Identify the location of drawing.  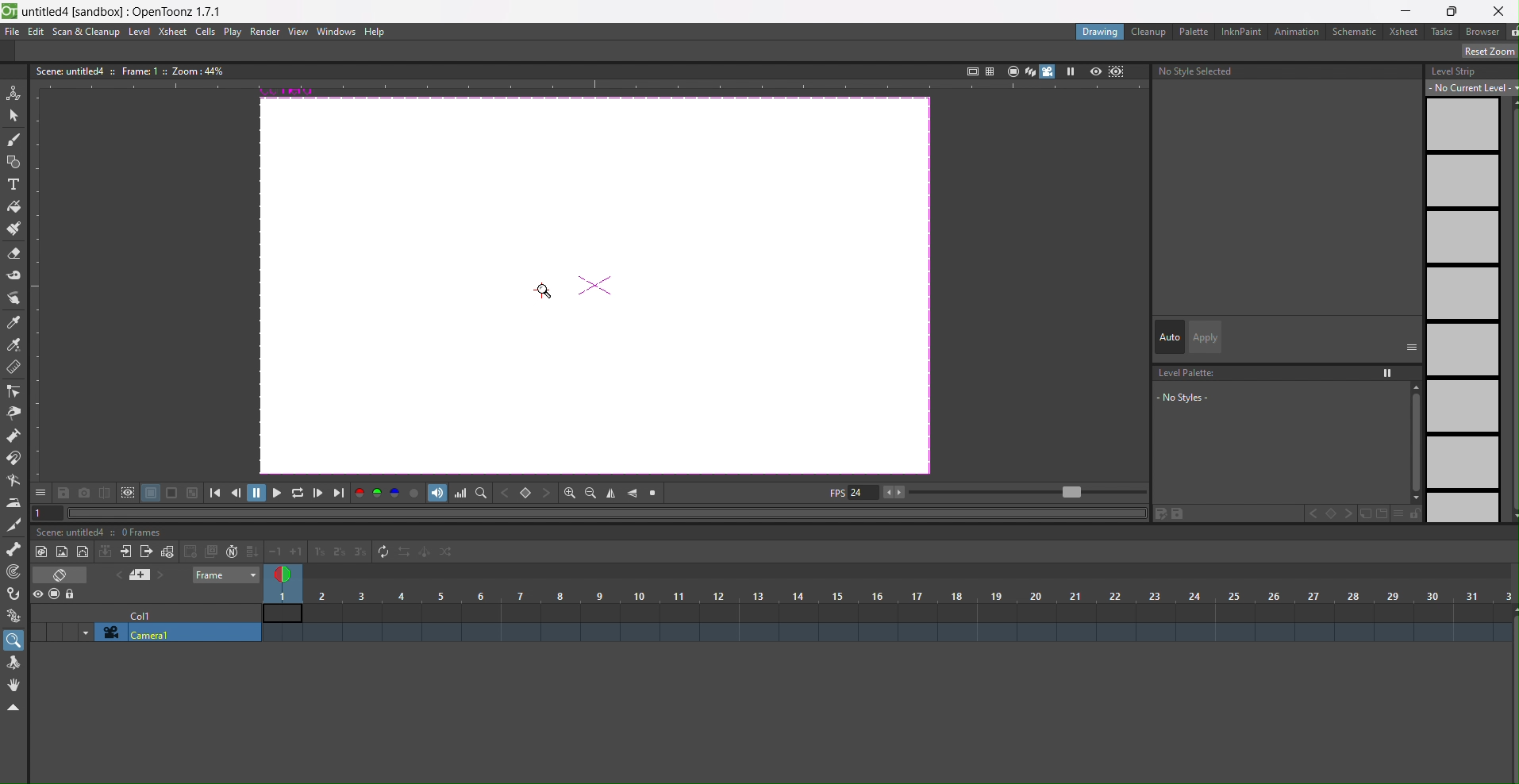
(1101, 31).